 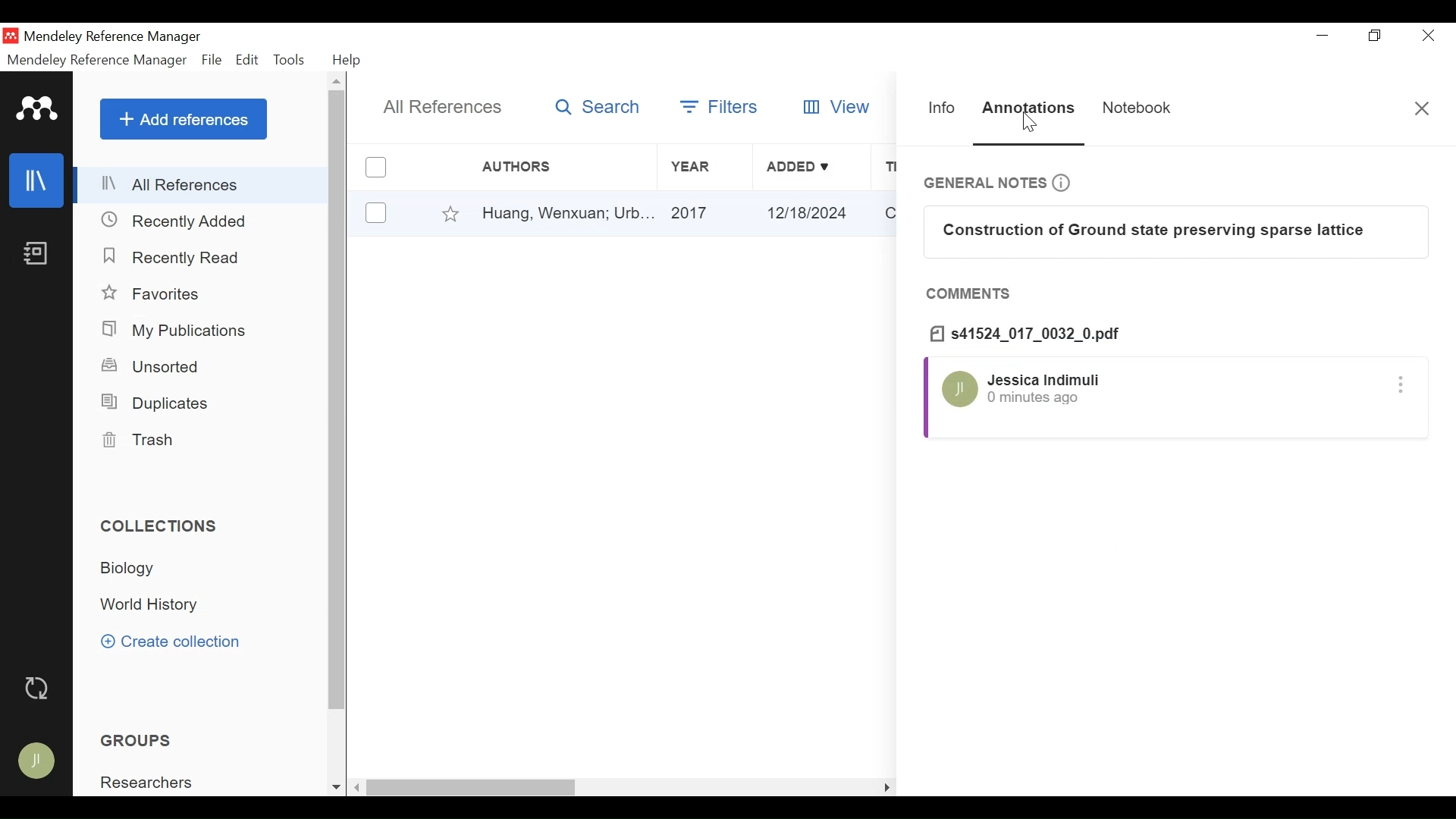 I want to click on Cursor, so click(x=1033, y=124).